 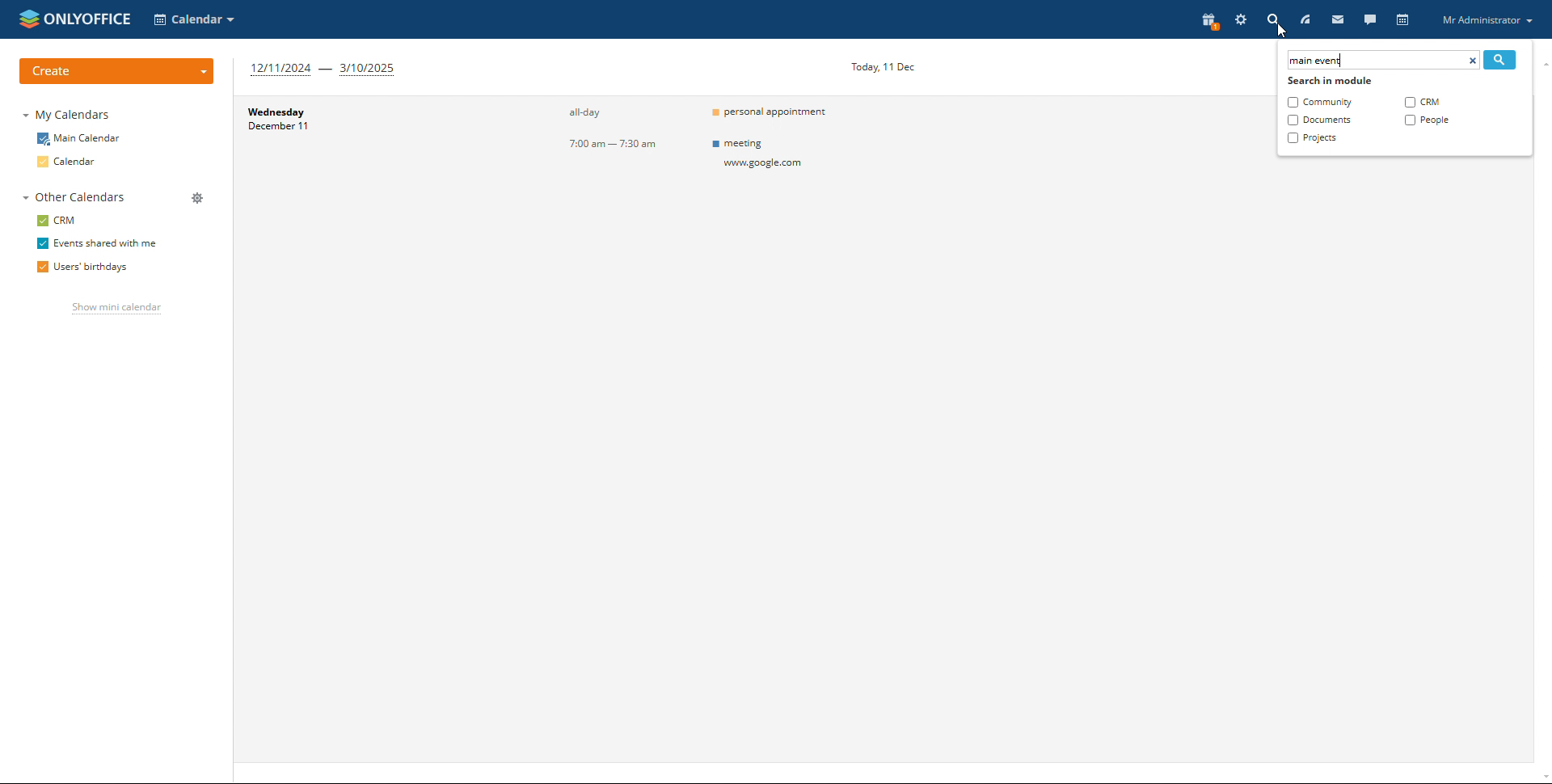 What do you see at coordinates (1500, 60) in the screenshot?
I see `search` at bounding box center [1500, 60].